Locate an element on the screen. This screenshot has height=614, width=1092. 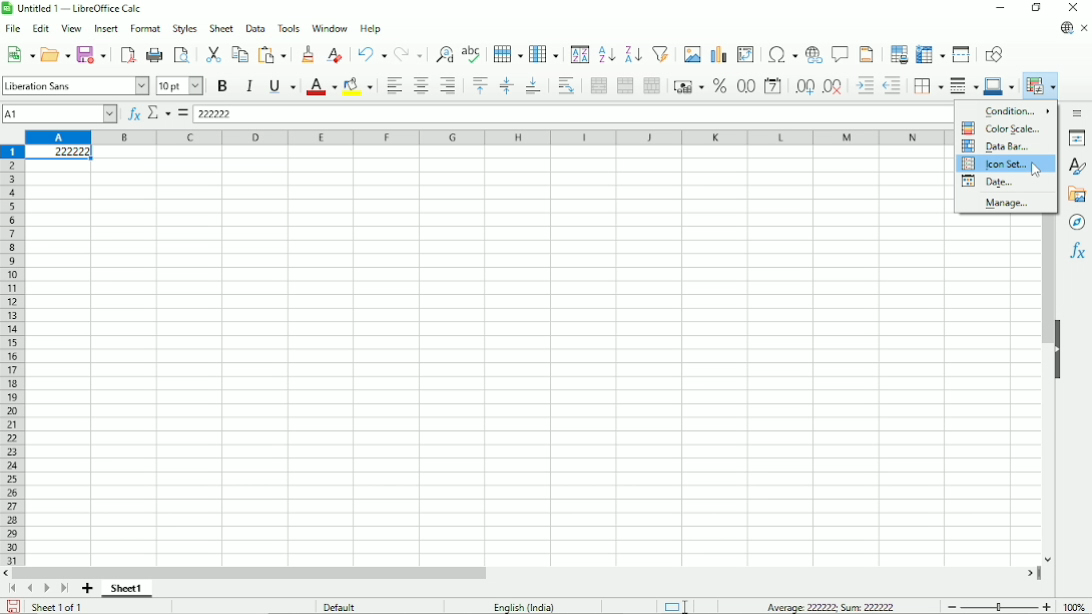
Border color is located at coordinates (1001, 86).